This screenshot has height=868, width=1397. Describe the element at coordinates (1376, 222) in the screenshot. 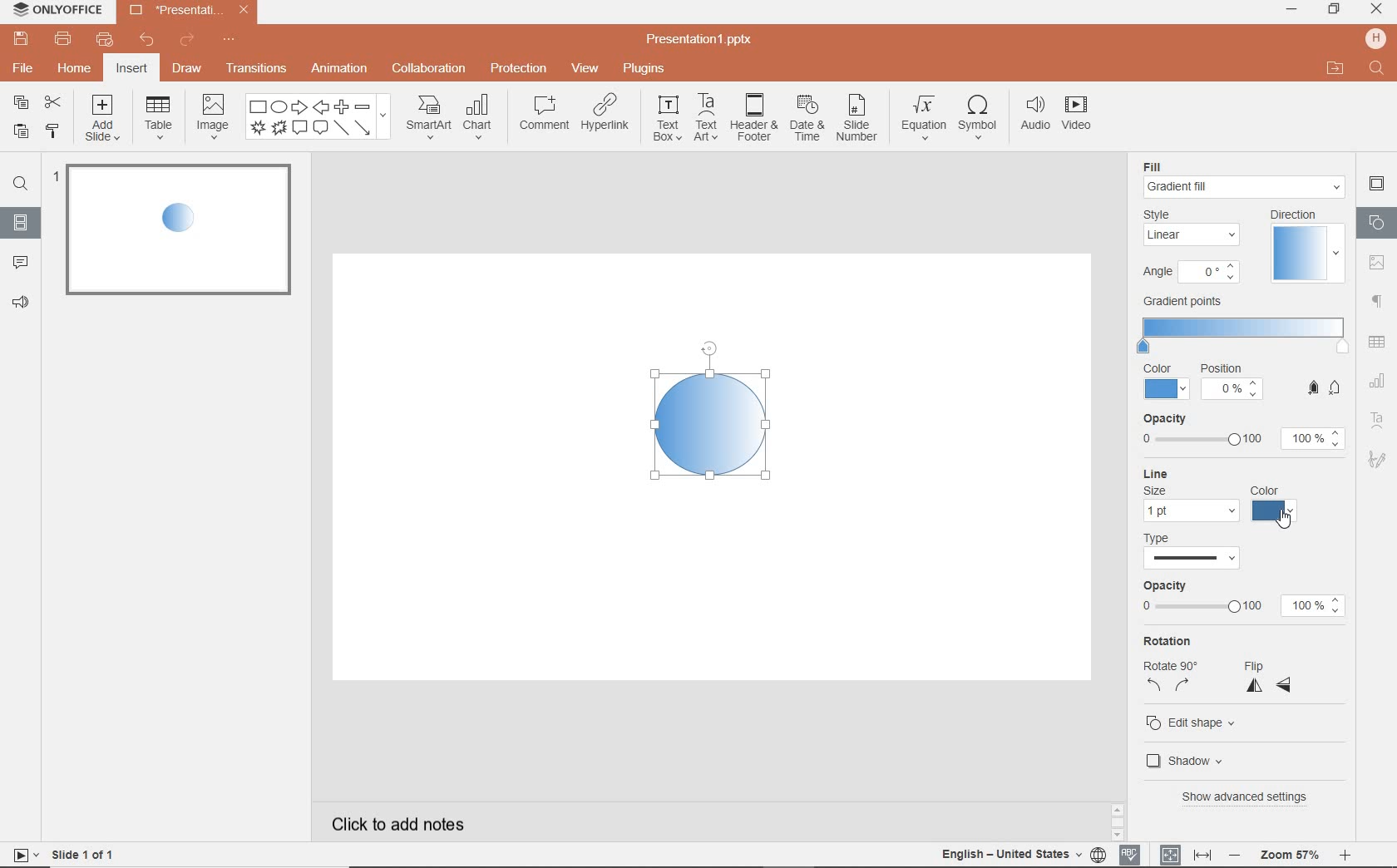

I see `shapes` at that location.